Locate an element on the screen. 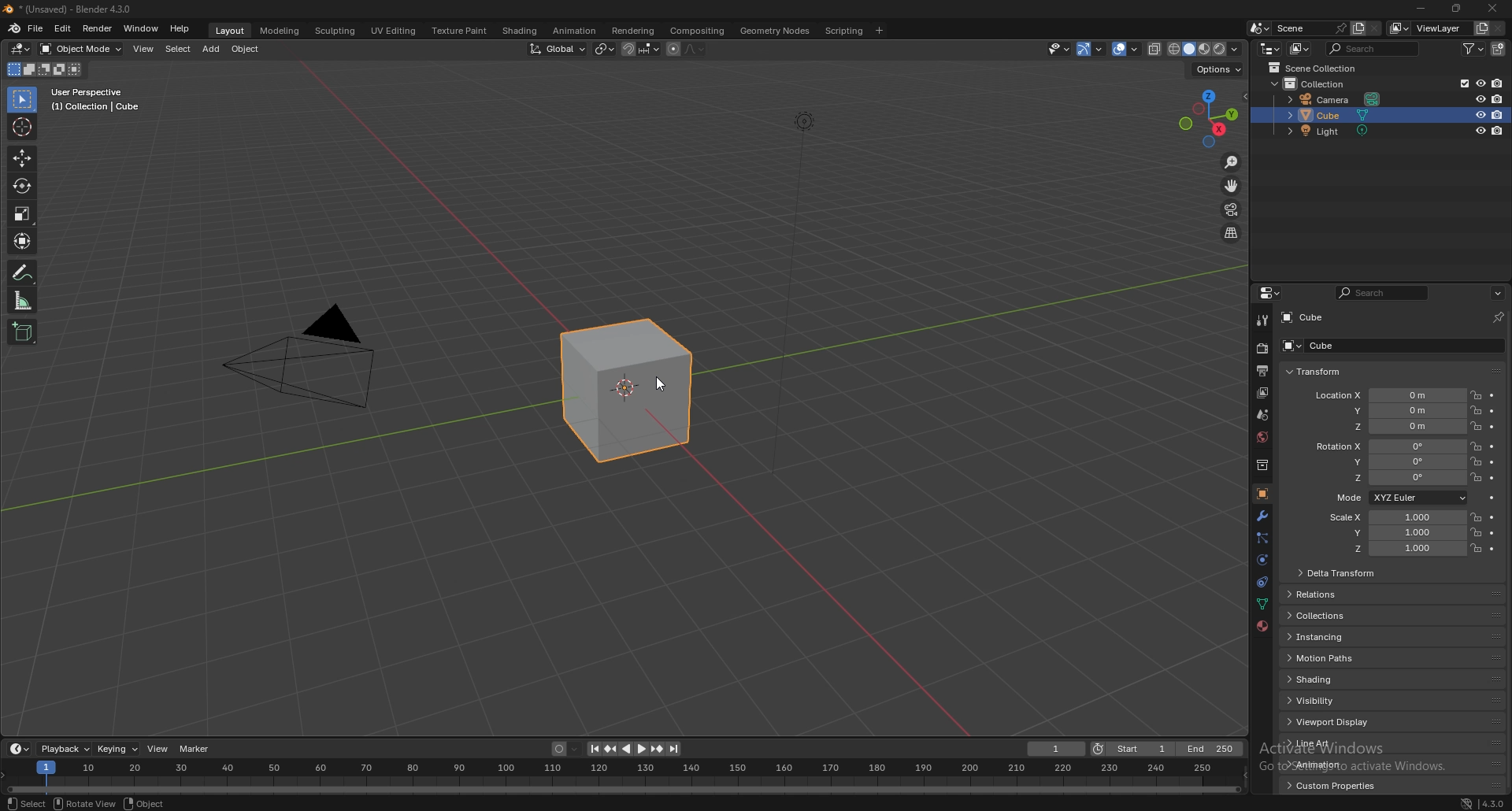 This screenshot has width=1512, height=811. data is located at coordinates (1261, 605).